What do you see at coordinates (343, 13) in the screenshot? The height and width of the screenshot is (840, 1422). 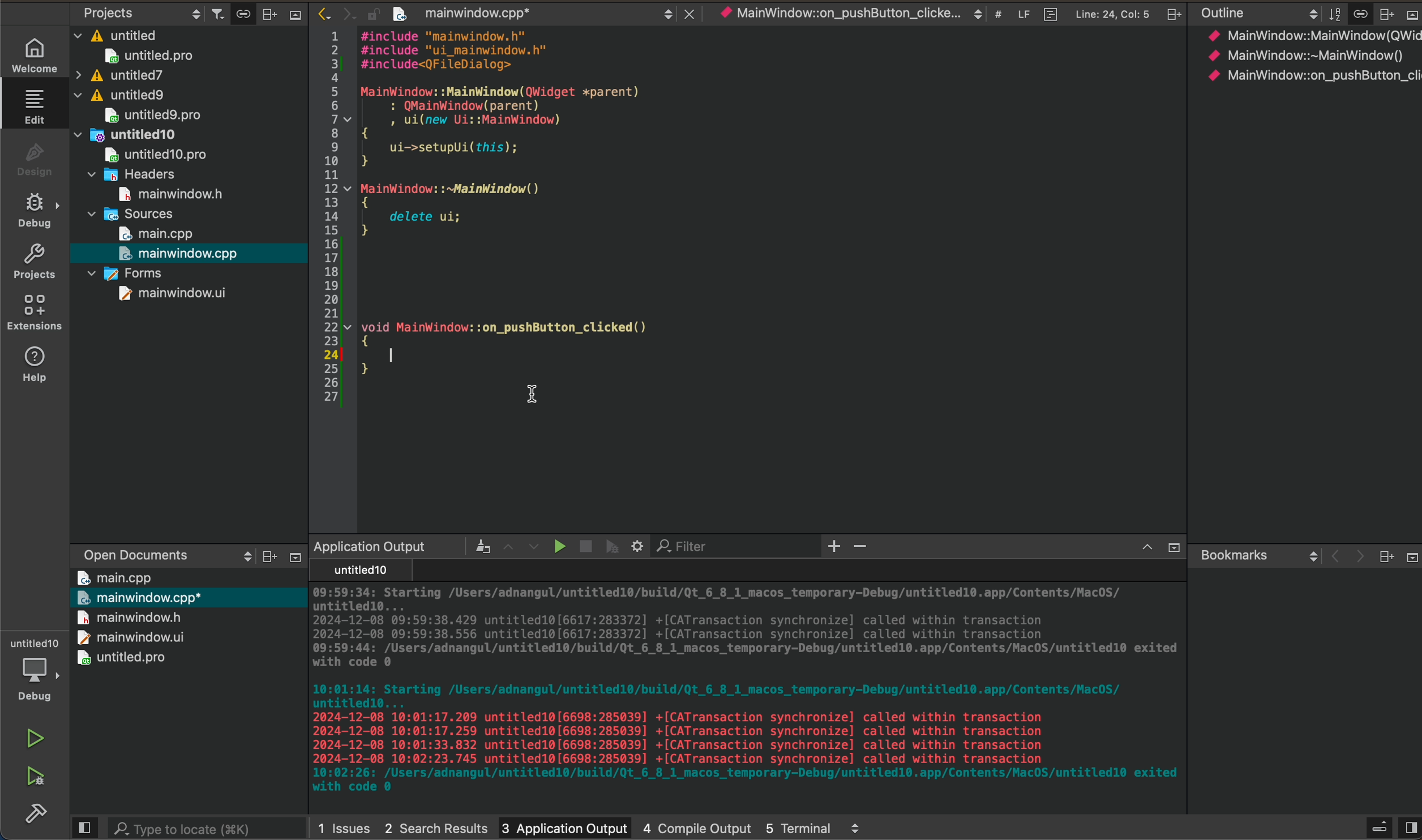 I see `forward` at bounding box center [343, 13].